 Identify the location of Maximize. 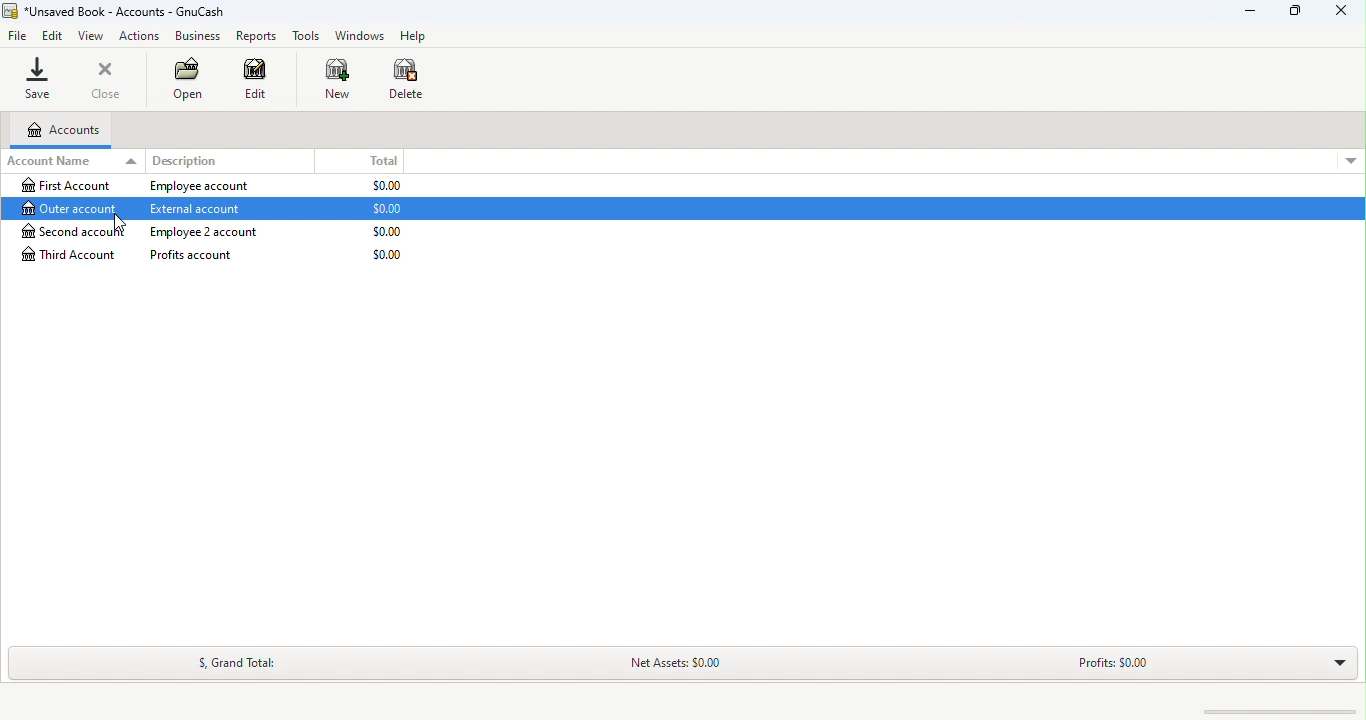
(1292, 13).